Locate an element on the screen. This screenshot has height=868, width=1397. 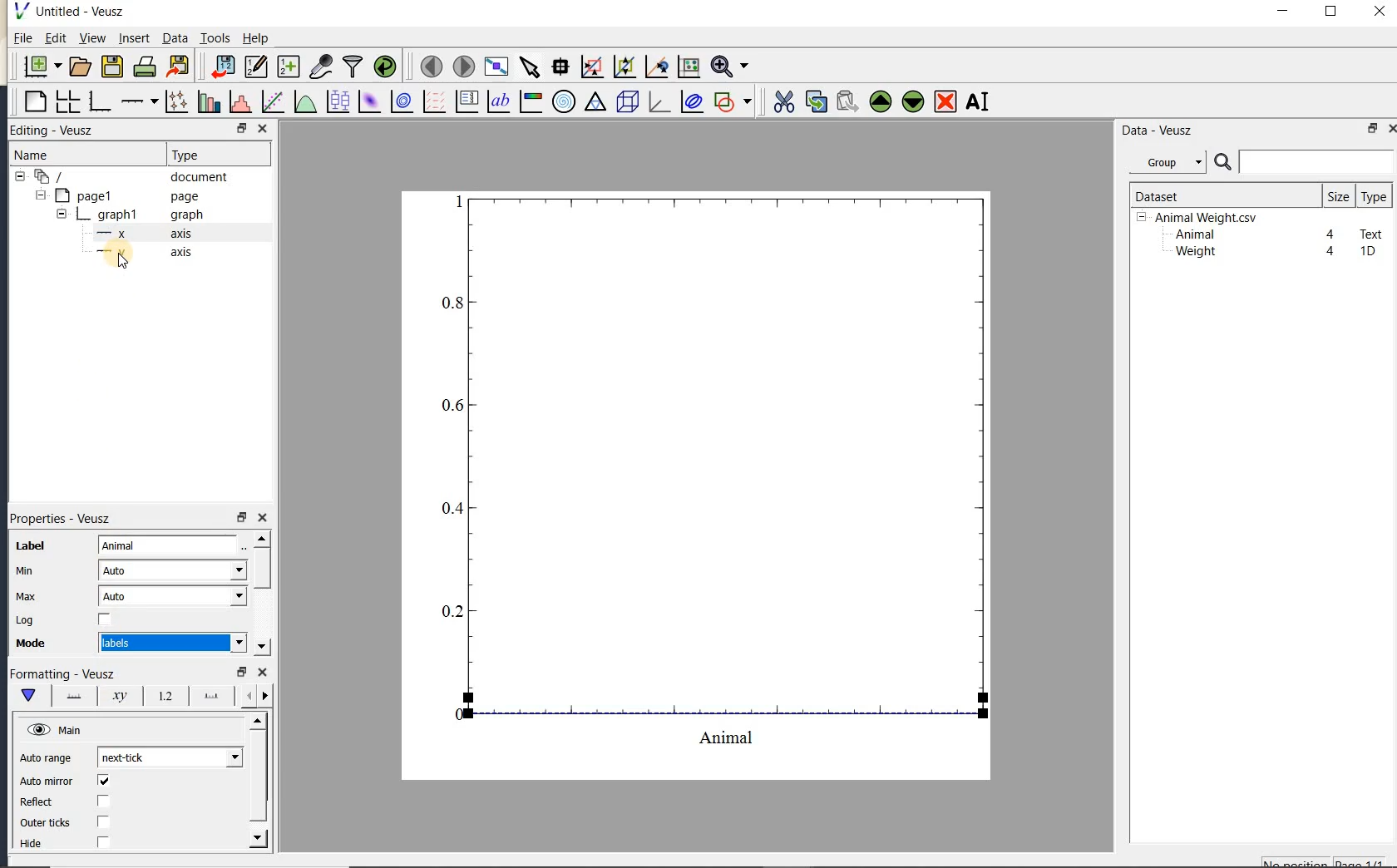
close is located at coordinates (263, 673).